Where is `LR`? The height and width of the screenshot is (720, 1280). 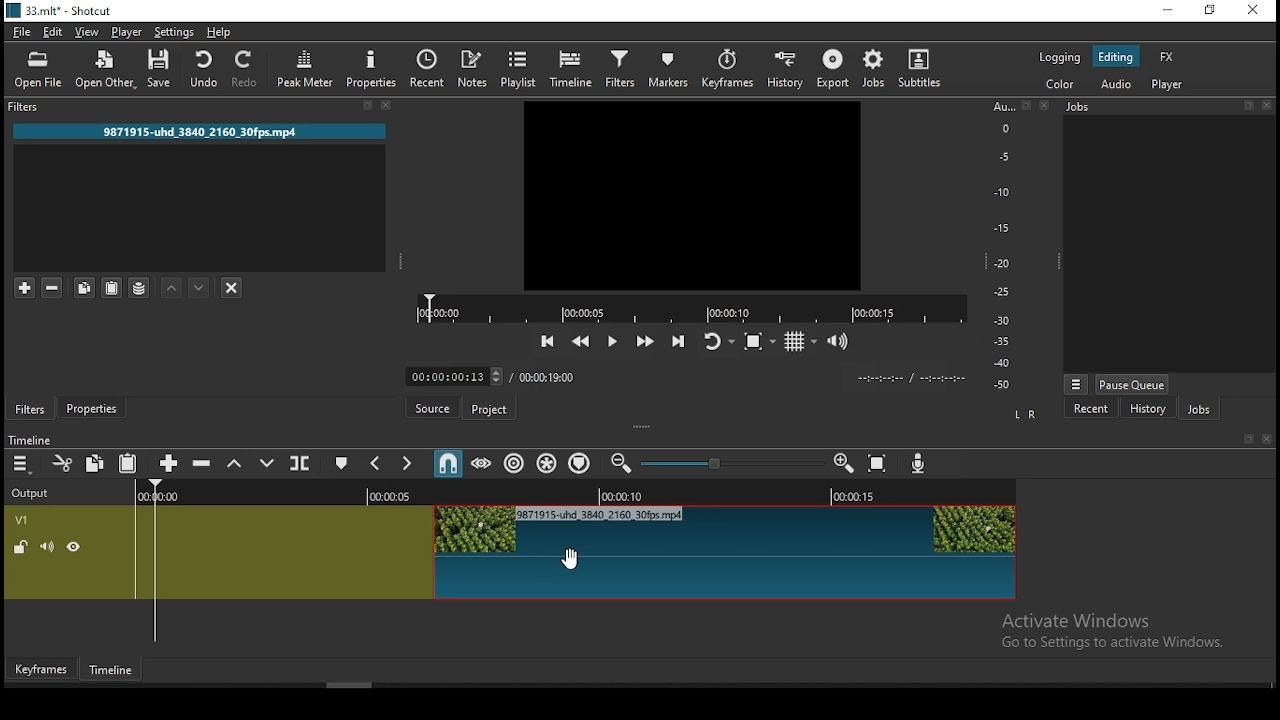 LR is located at coordinates (1027, 417).